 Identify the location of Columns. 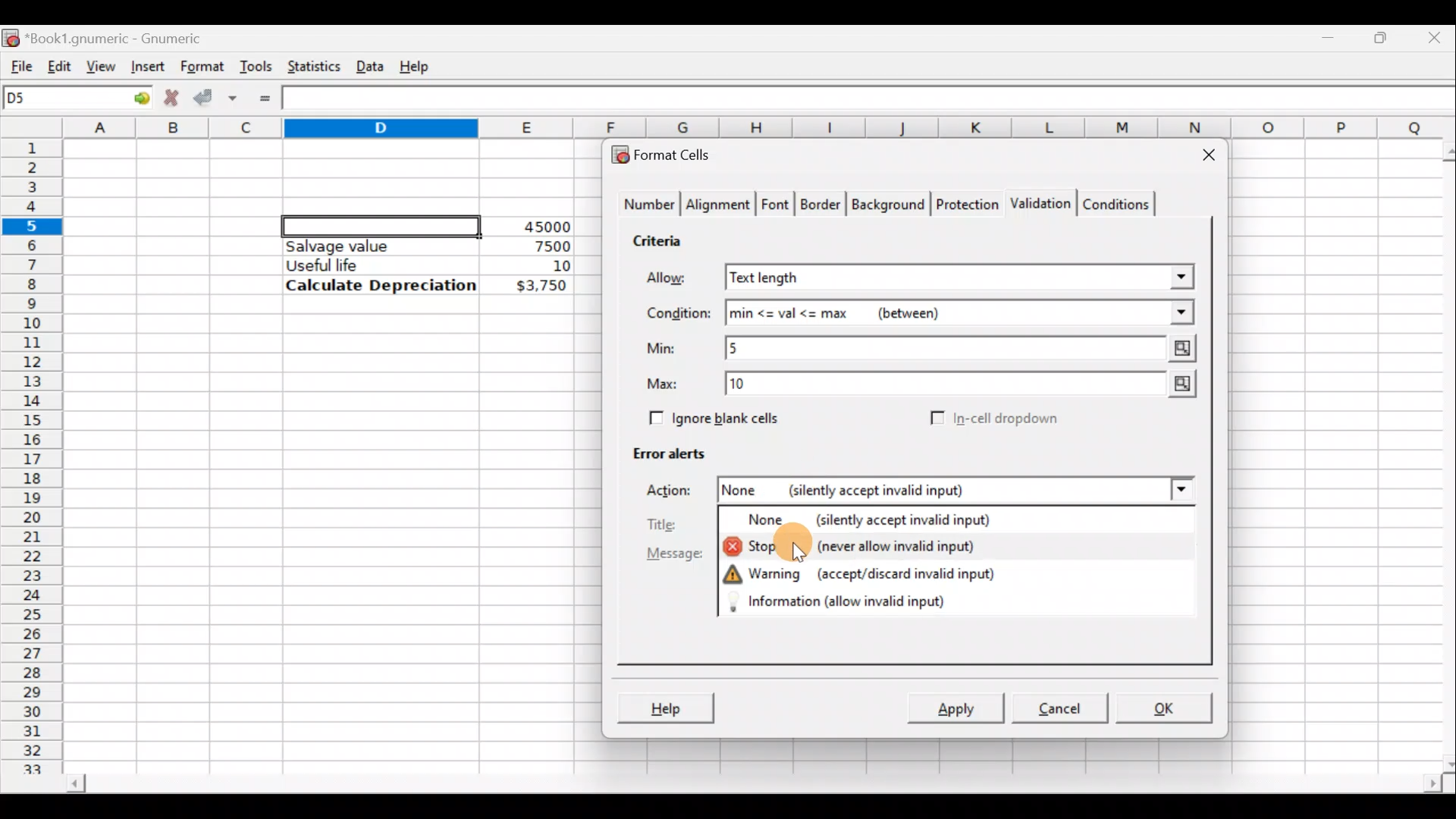
(761, 128).